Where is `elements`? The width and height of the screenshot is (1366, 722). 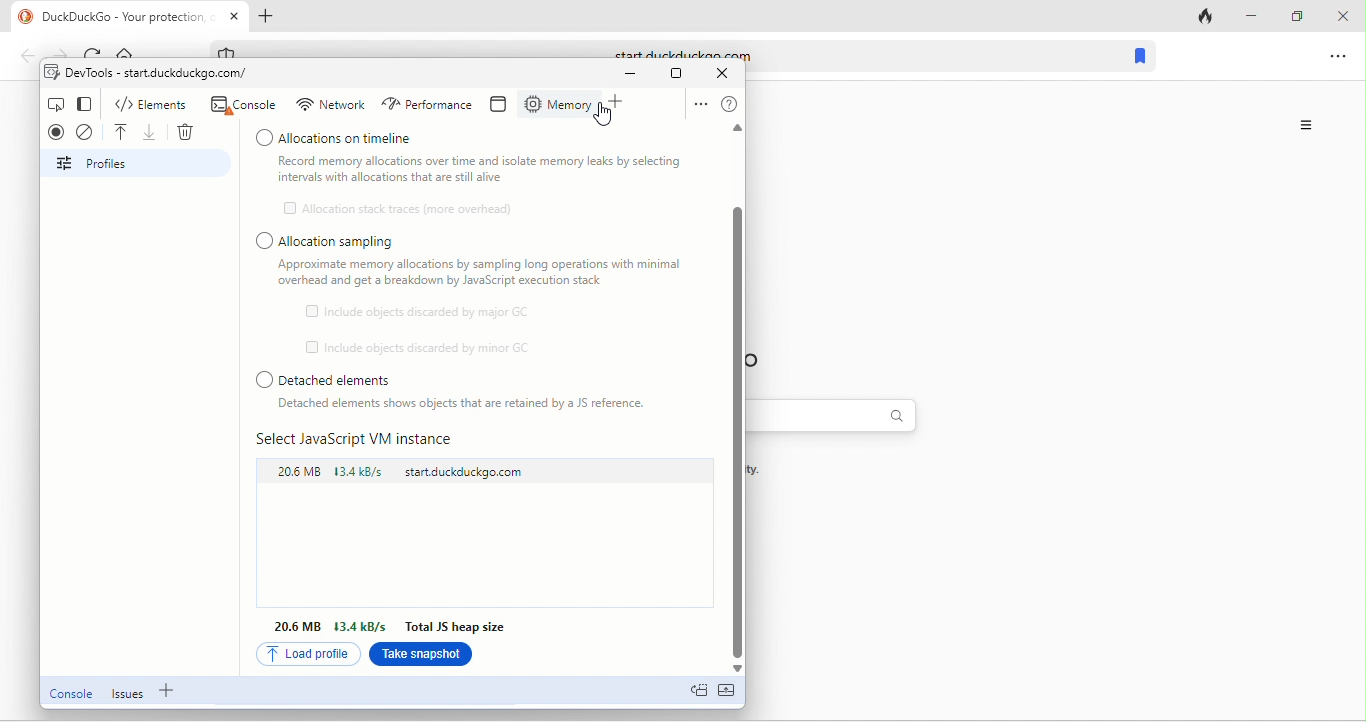
elements is located at coordinates (151, 103).